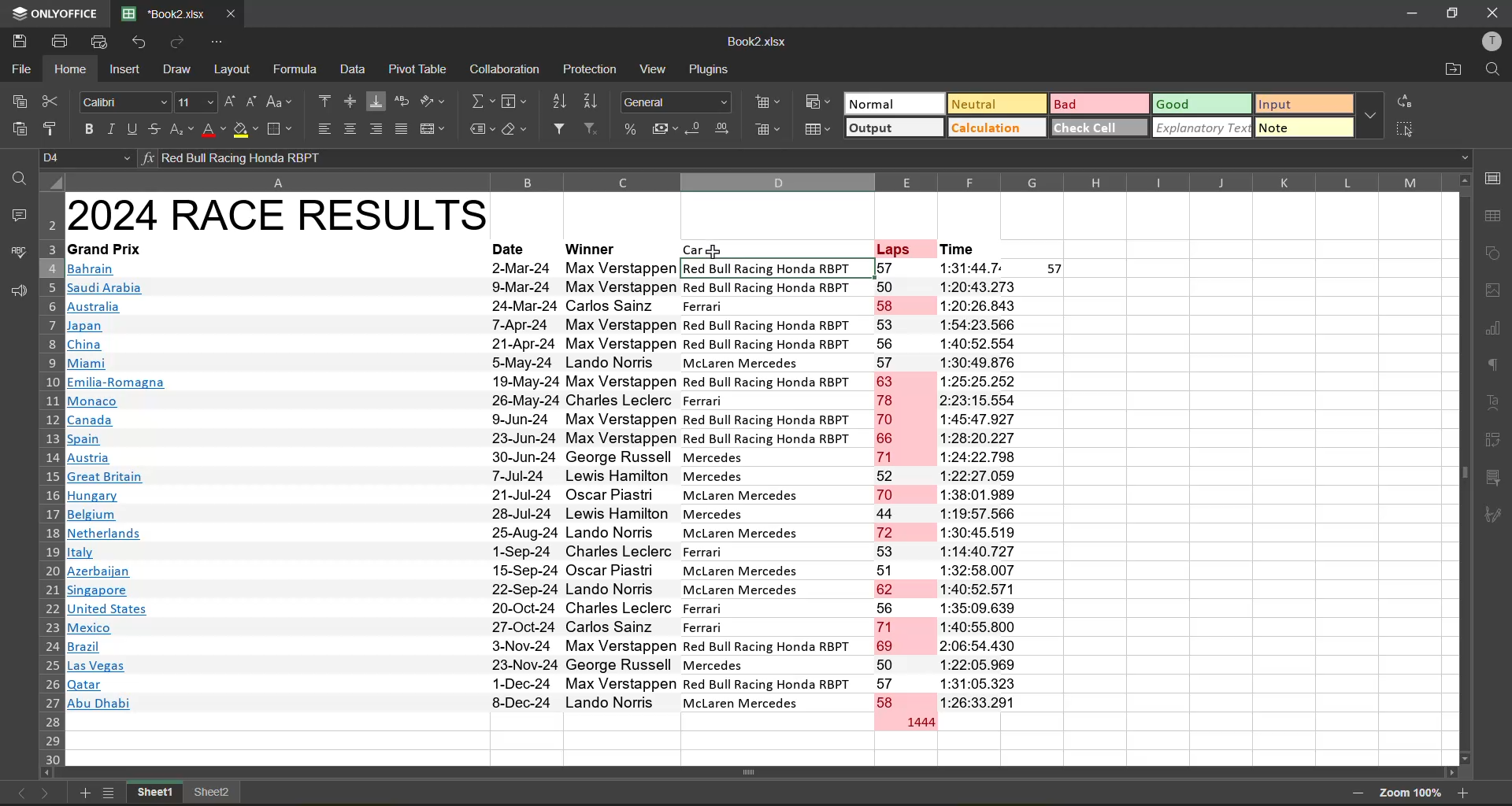 The height and width of the screenshot is (806, 1512). Describe the element at coordinates (519, 131) in the screenshot. I see `clear` at that location.